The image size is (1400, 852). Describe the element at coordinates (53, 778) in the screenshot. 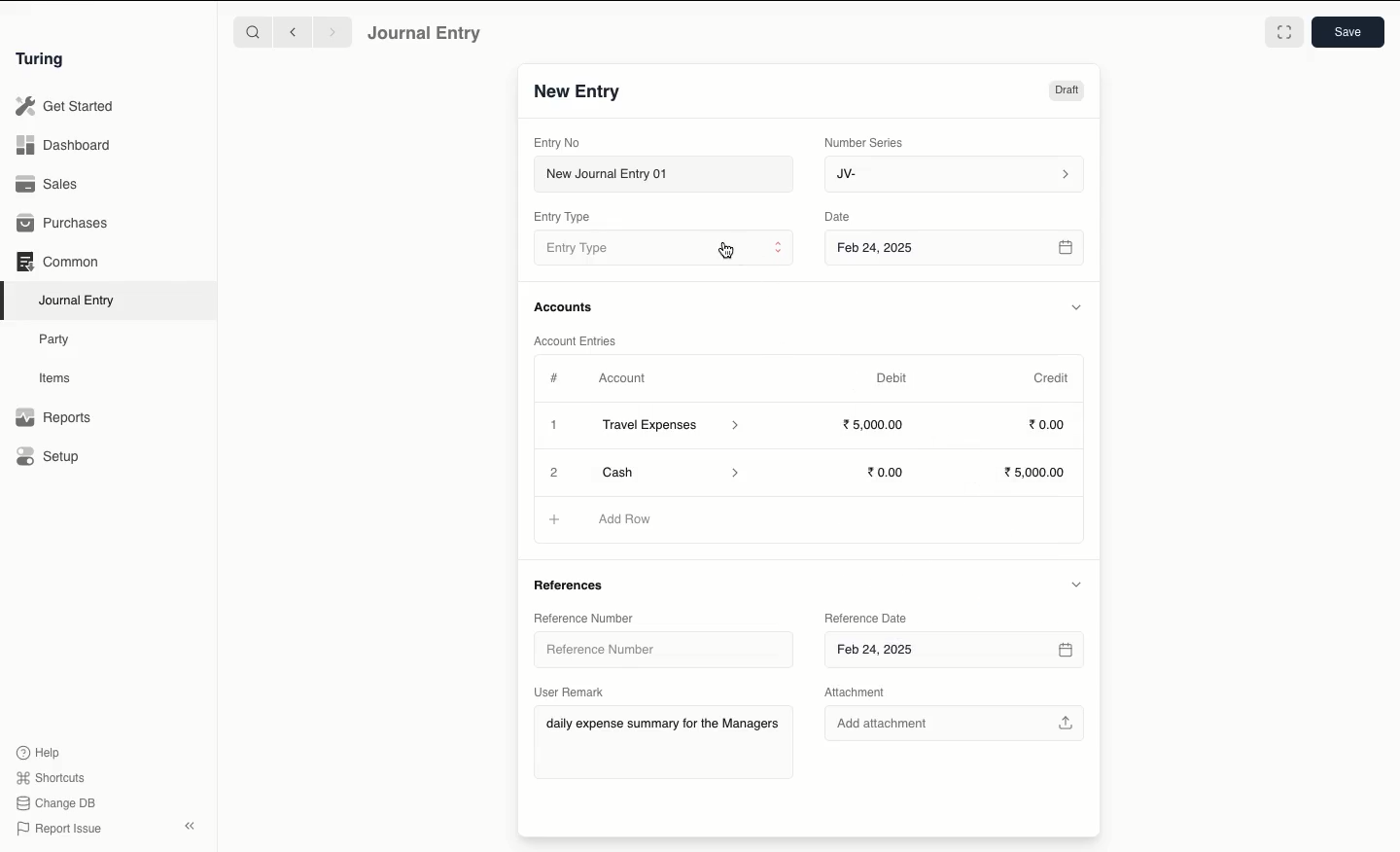

I see `Shortcuts` at that location.